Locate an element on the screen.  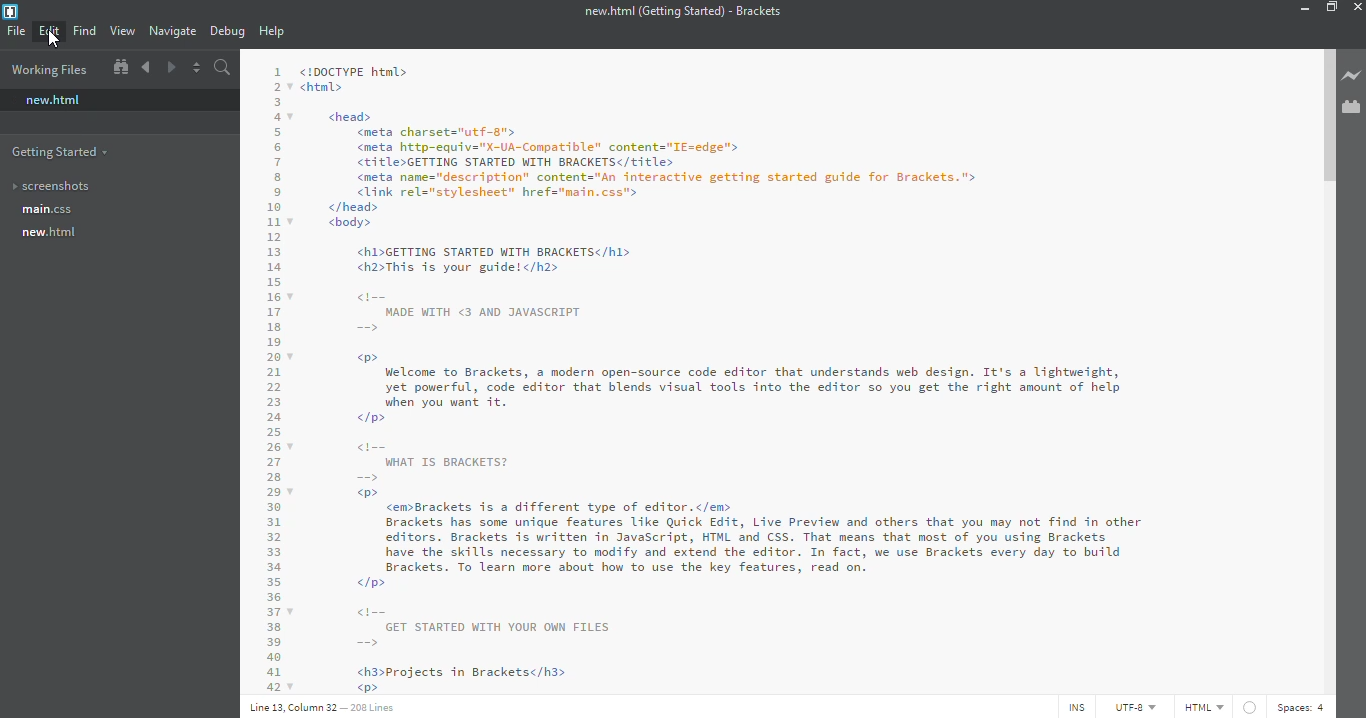
forward is located at coordinates (170, 68).